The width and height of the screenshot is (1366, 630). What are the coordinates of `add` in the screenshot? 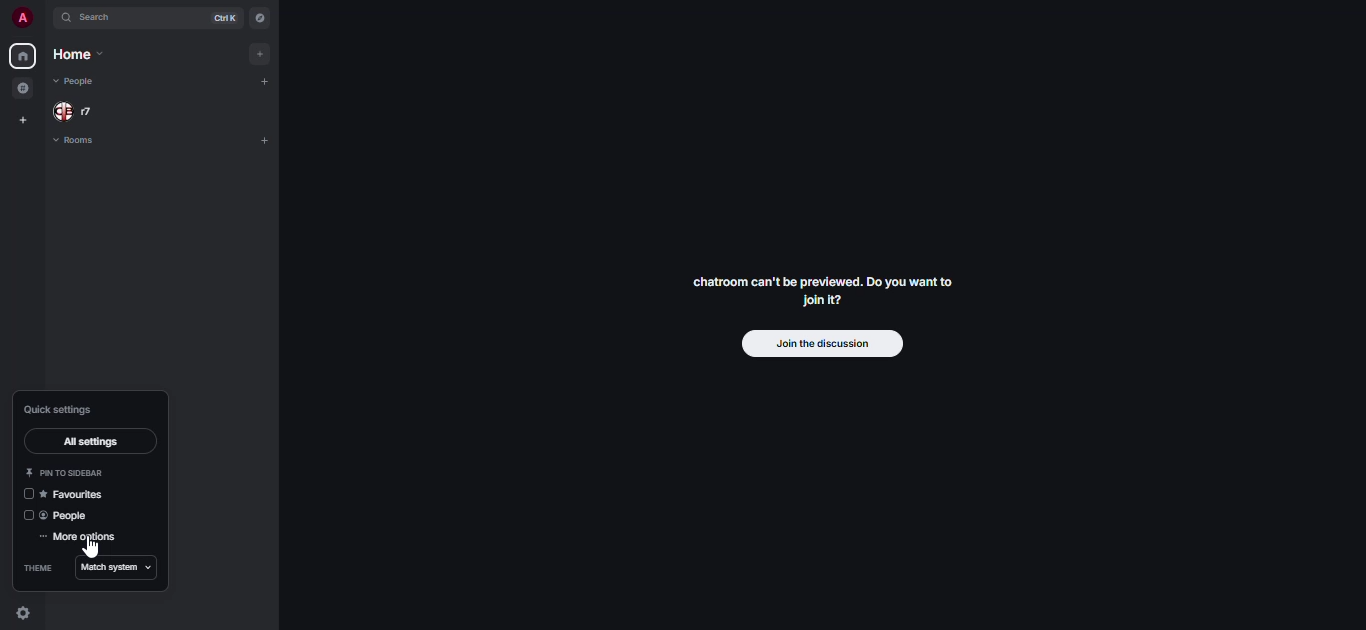 It's located at (264, 141).